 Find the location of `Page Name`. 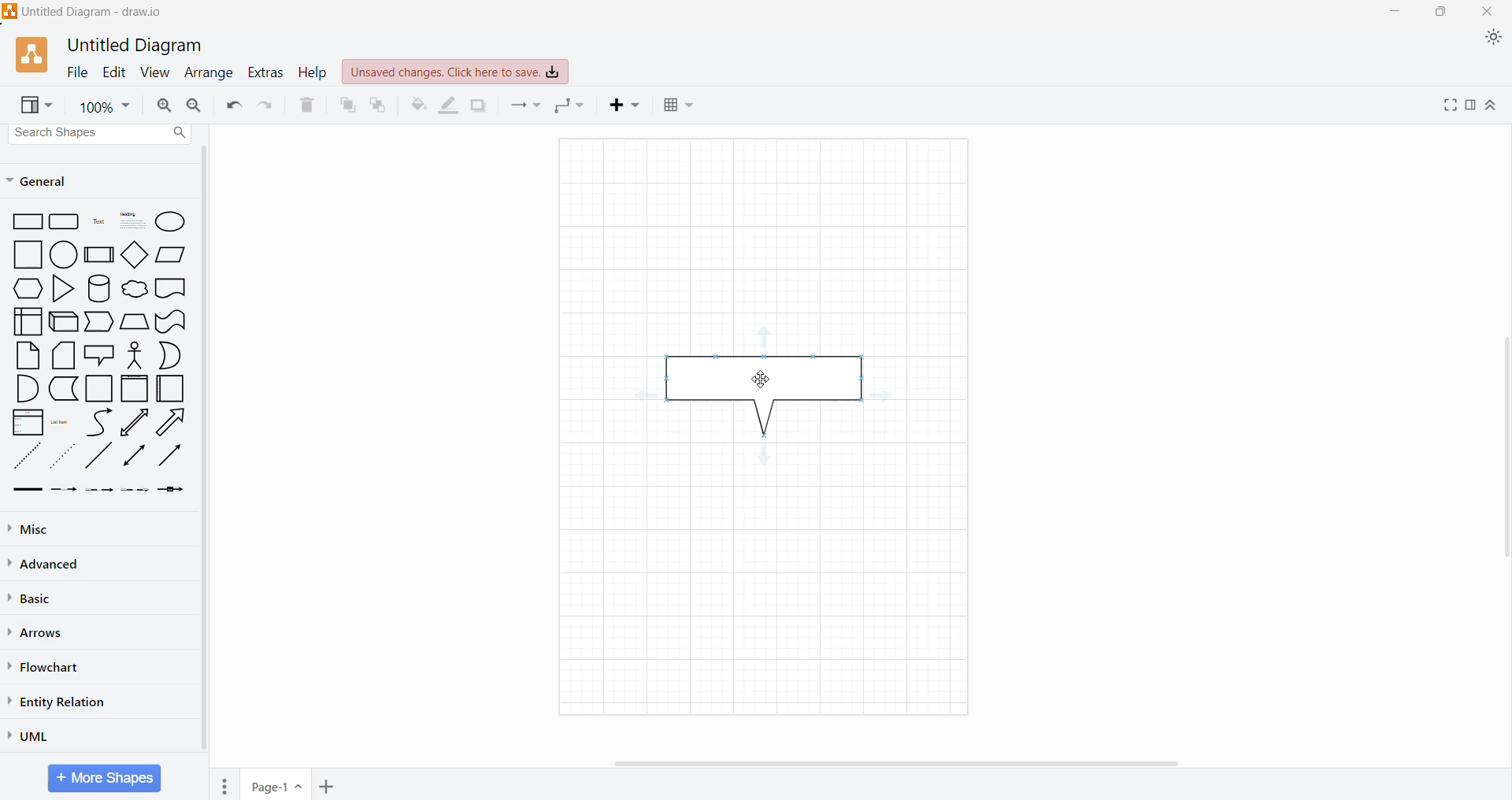

Page Name is located at coordinates (277, 784).